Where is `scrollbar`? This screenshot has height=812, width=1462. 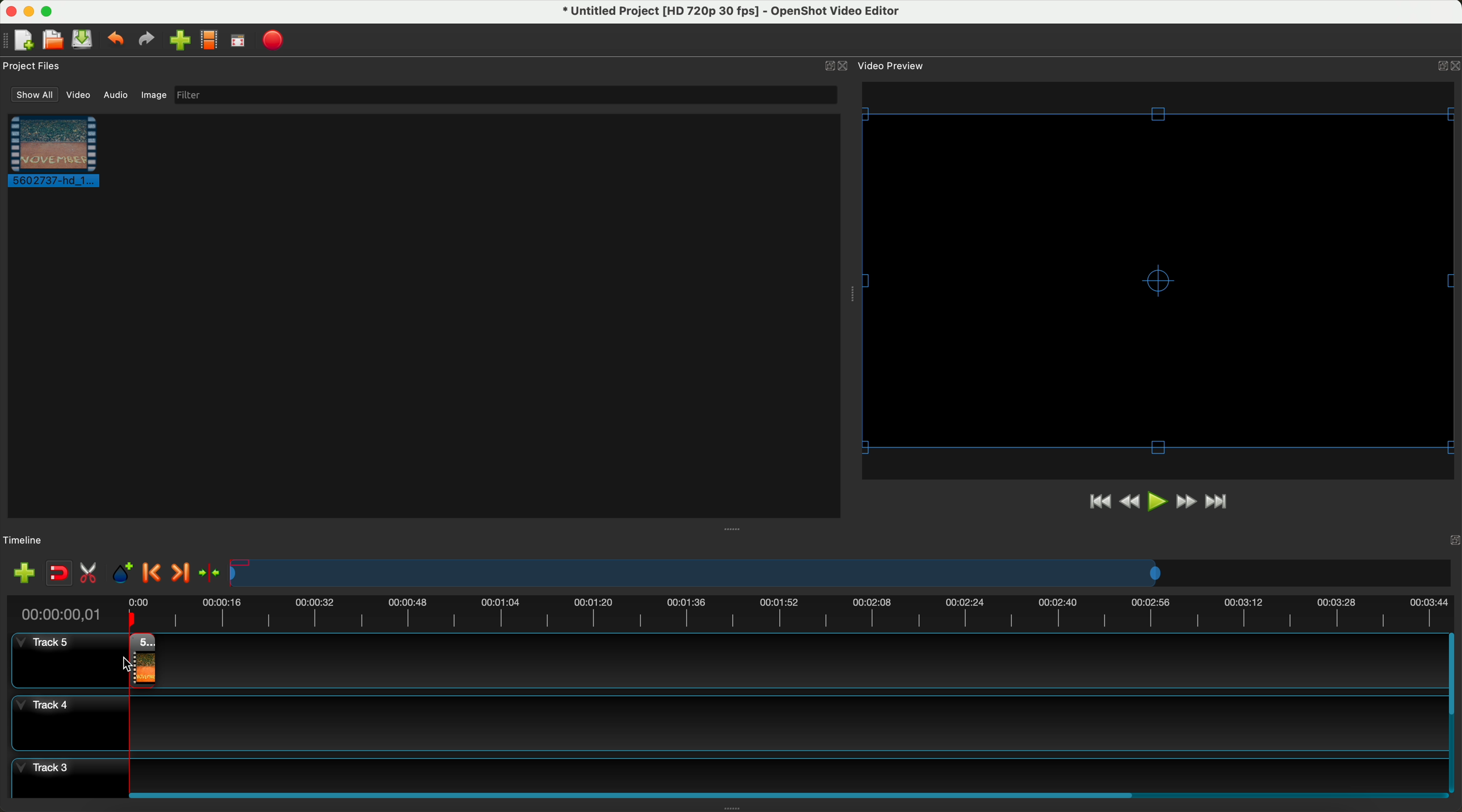
scrollbar is located at coordinates (1453, 711).